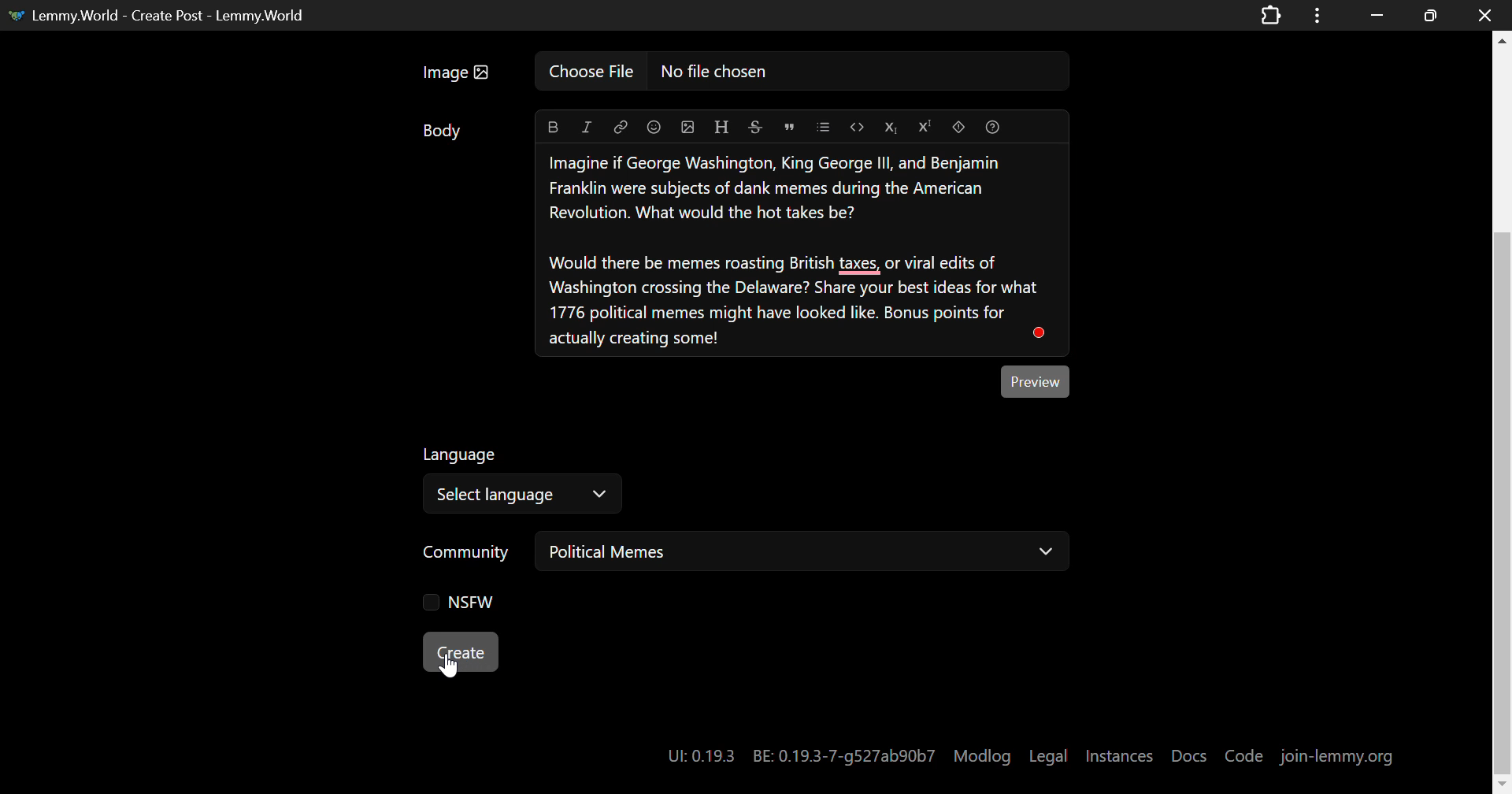 Image resolution: width=1512 pixels, height=794 pixels. Describe the element at coordinates (1336, 756) in the screenshot. I see `join-lemmy.org` at that location.